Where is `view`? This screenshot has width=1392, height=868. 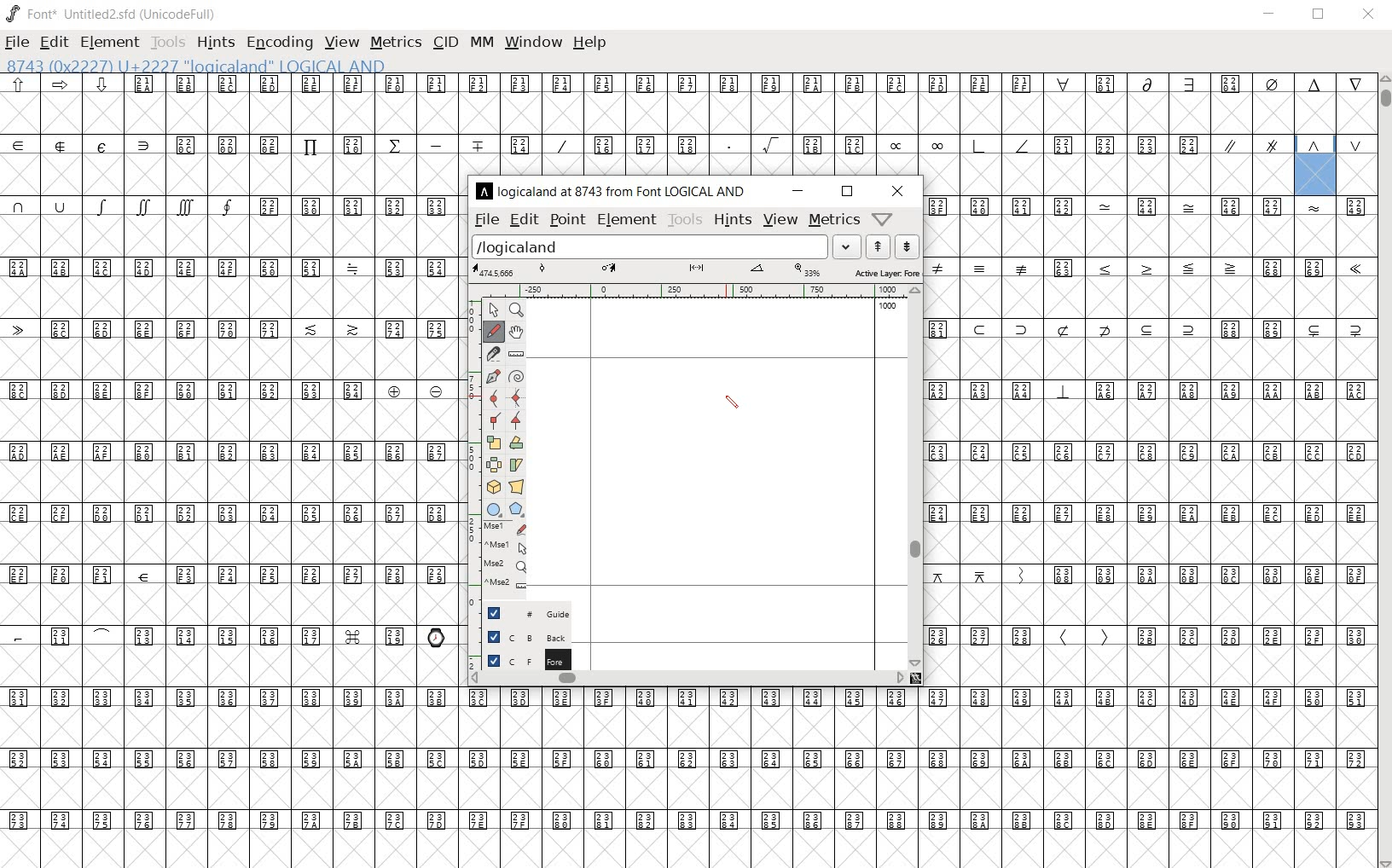
view is located at coordinates (780, 219).